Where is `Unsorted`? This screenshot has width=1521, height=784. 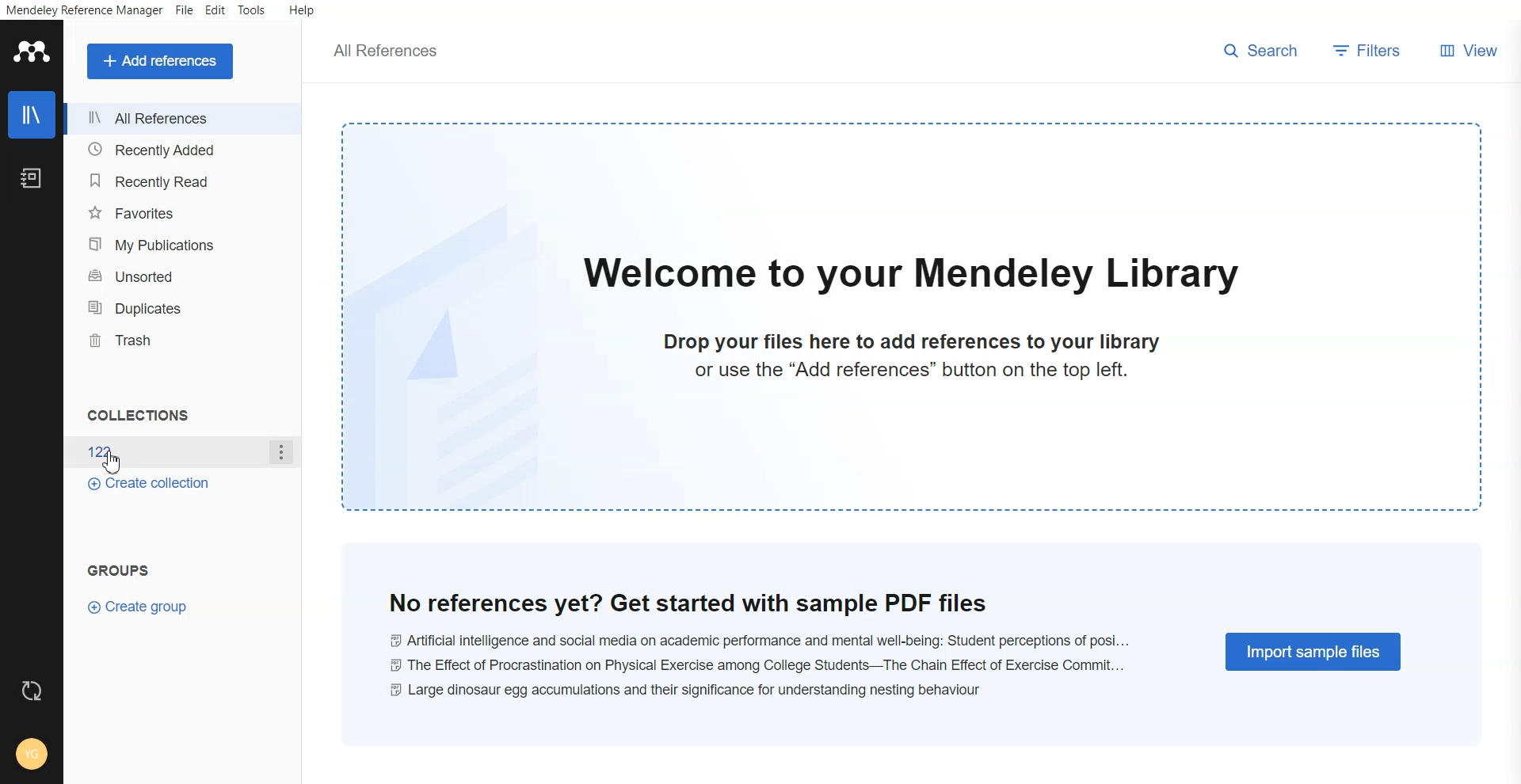 Unsorted is located at coordinates (183, 276).